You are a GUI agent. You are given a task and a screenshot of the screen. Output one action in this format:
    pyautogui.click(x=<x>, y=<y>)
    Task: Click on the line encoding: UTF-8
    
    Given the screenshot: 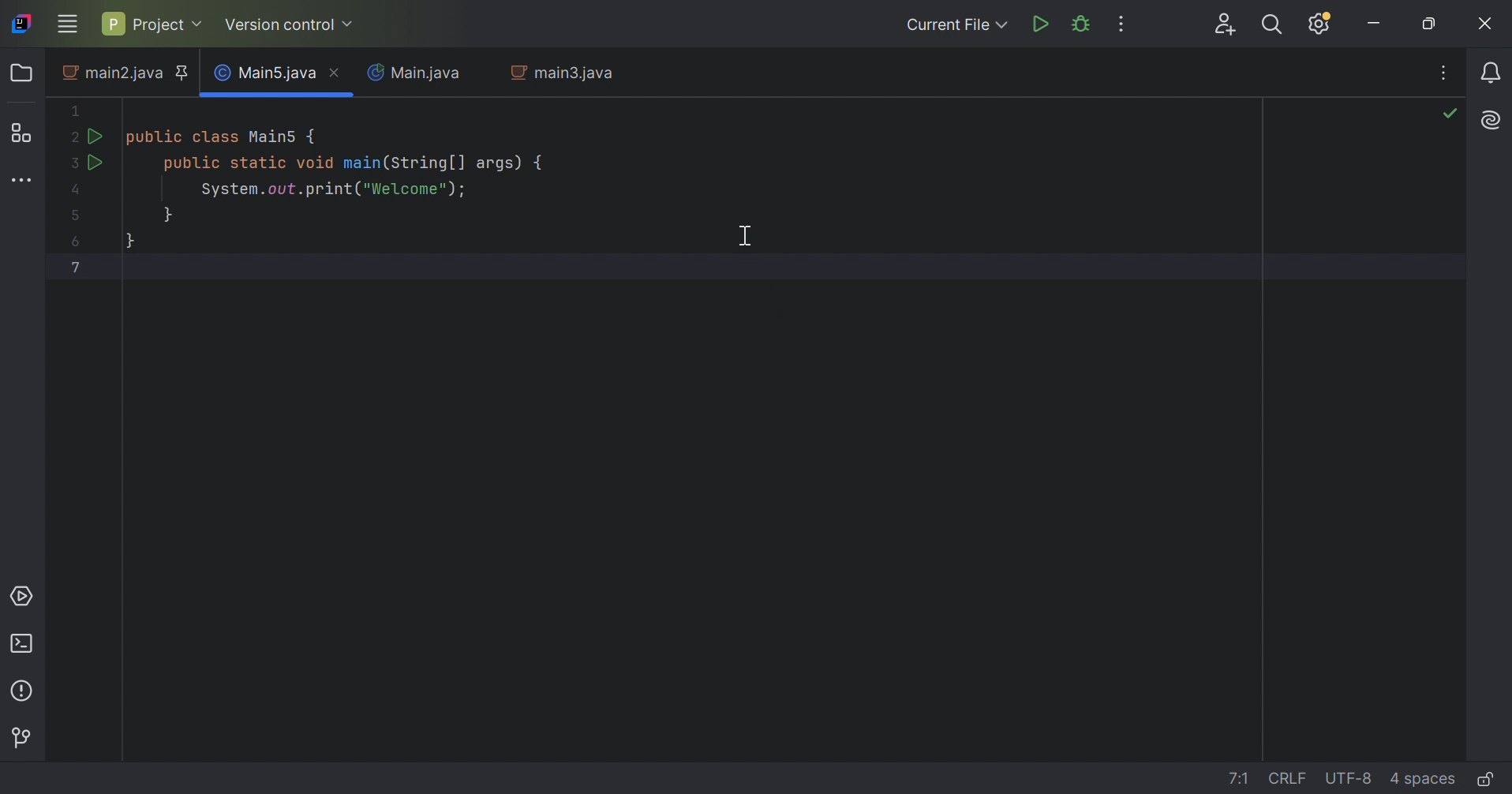 What is the action you would take?
    pyautogui.click(x=1349, y=778)
    